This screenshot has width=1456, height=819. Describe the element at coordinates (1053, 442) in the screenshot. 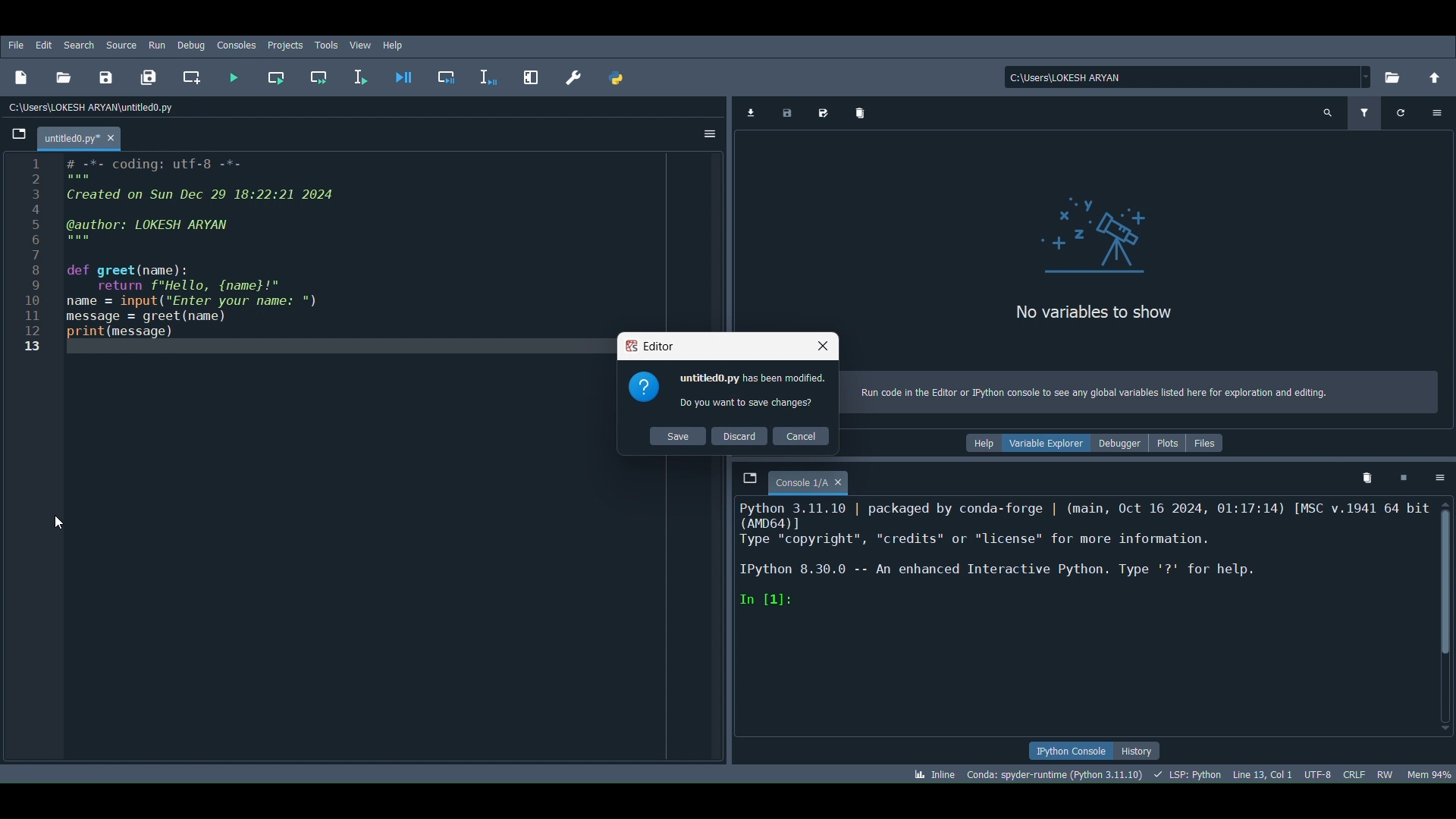

I see `Variable explorer` at that location.